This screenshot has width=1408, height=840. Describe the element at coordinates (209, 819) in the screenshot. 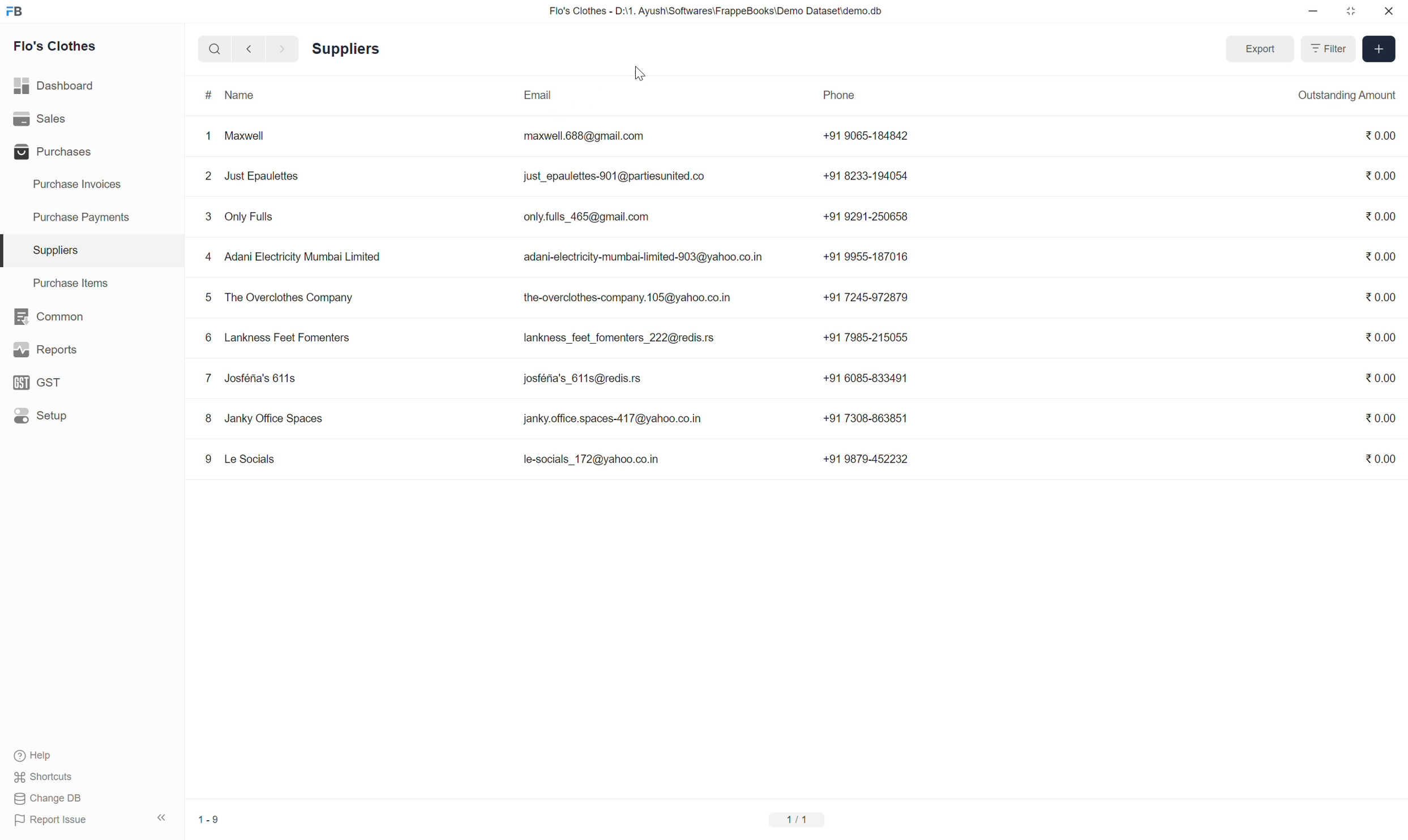

I see `1-9` at that location.